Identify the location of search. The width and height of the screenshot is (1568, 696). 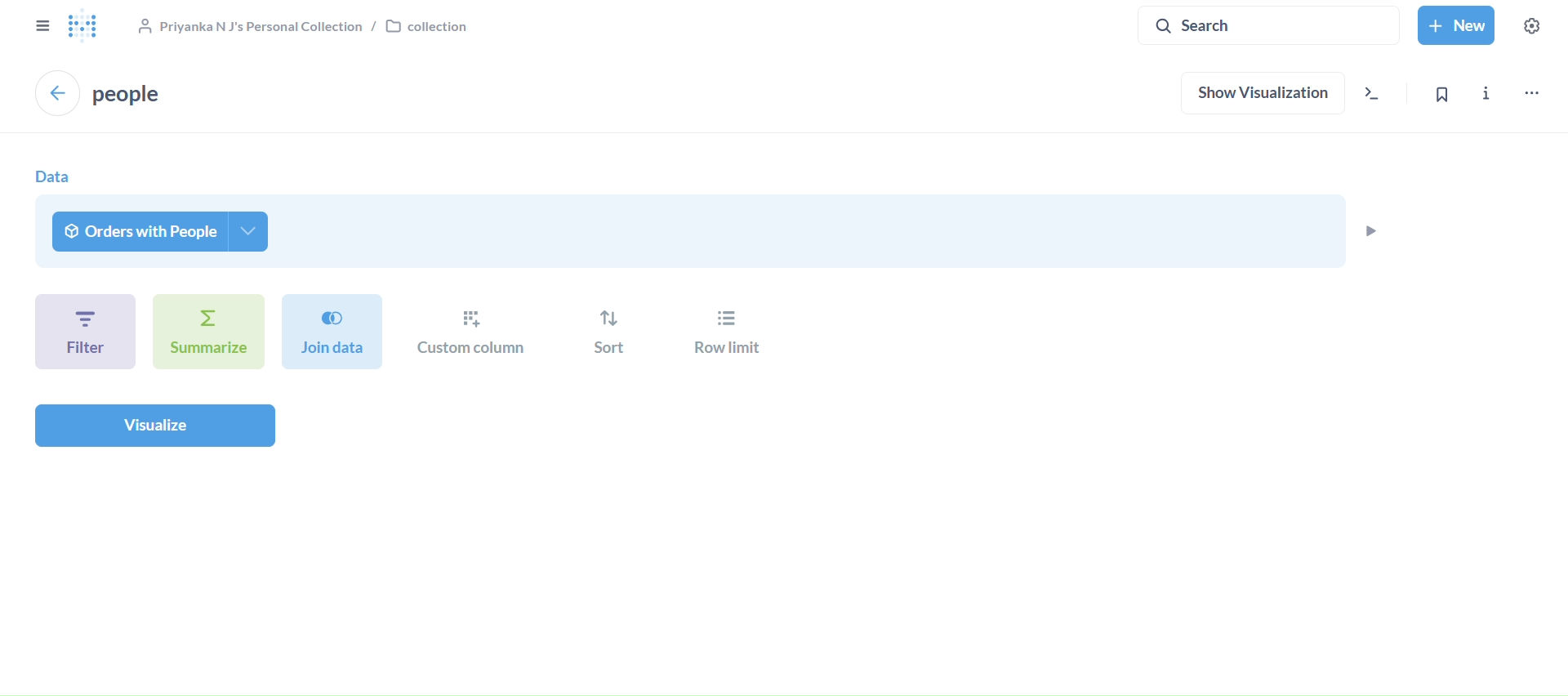
(1269, 24).